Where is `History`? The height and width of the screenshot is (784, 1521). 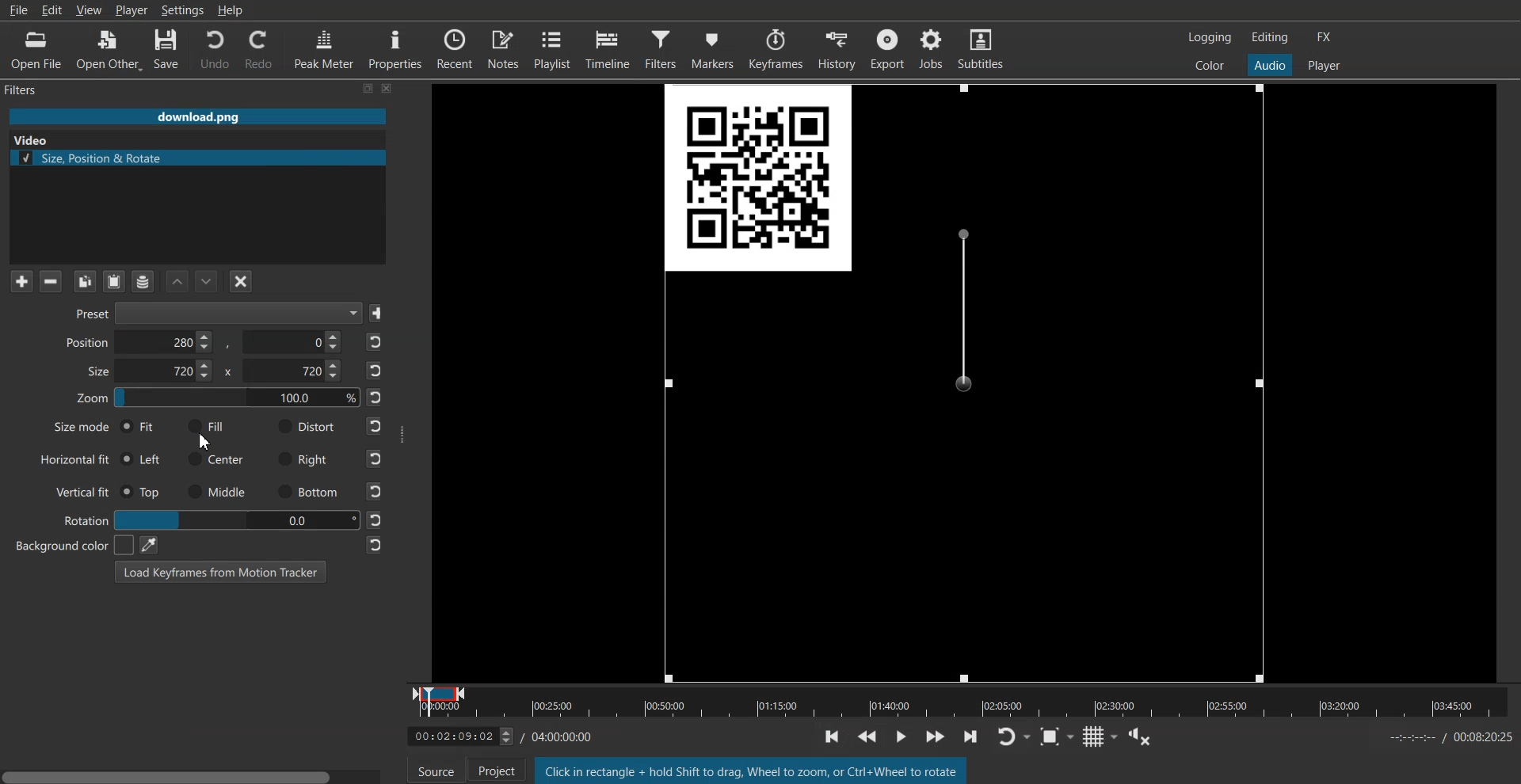 History is located at coordinates (836, 48).